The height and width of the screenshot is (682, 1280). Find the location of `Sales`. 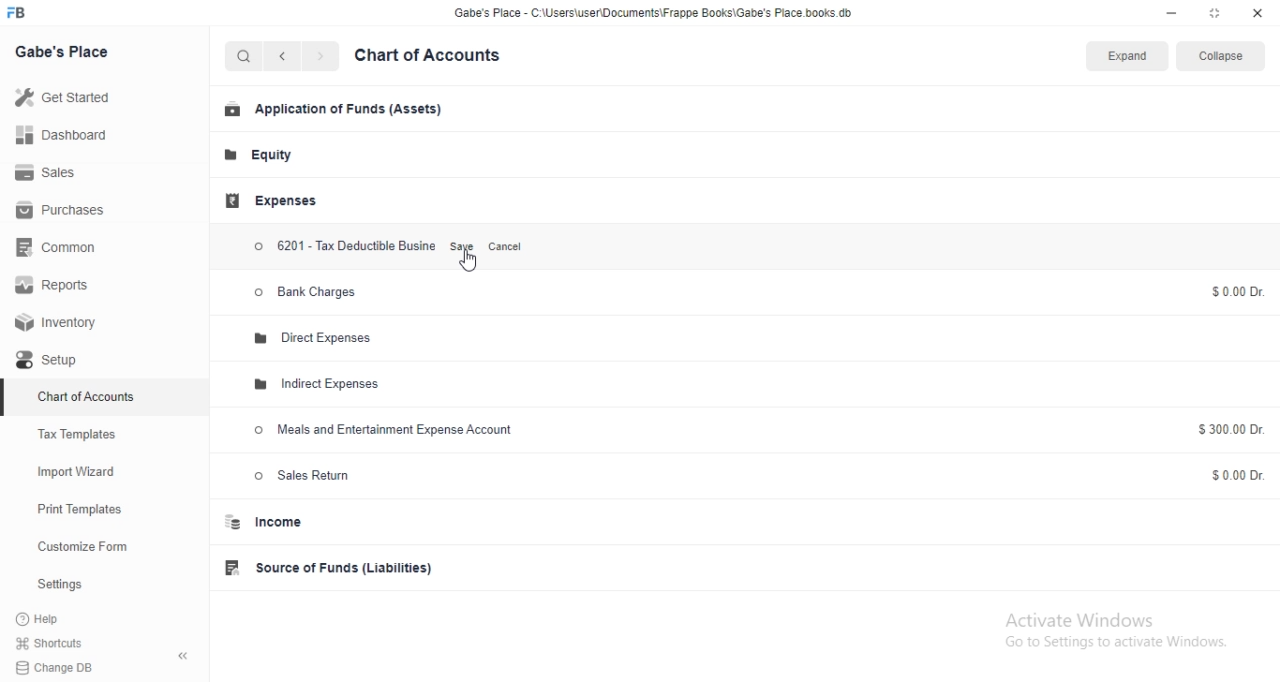

Sales is located at coordinates (50, 173).